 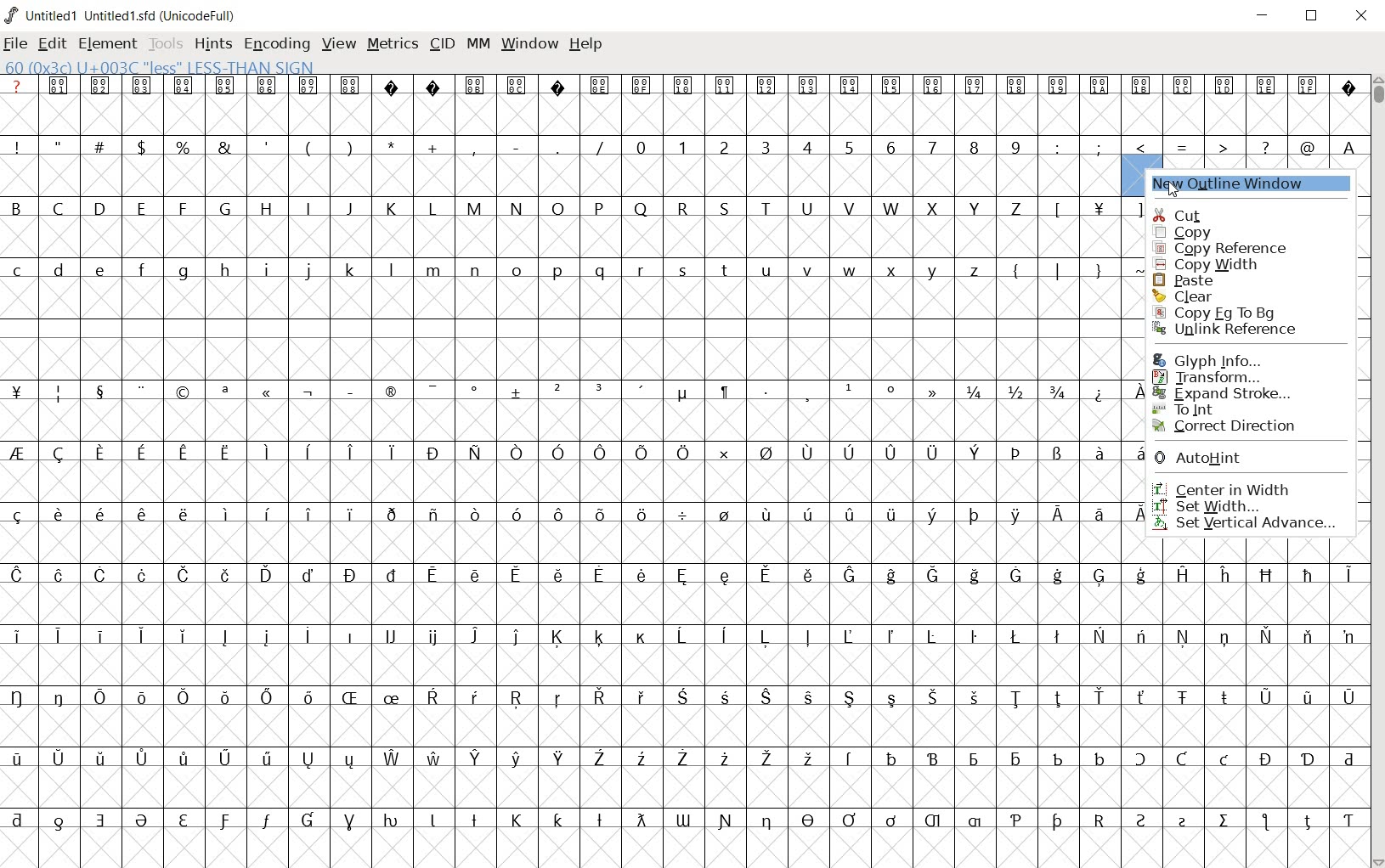 What do you see at coordinates (689, 757) in the screenshot?
I see `special letters` at bounding box center [689, 757].